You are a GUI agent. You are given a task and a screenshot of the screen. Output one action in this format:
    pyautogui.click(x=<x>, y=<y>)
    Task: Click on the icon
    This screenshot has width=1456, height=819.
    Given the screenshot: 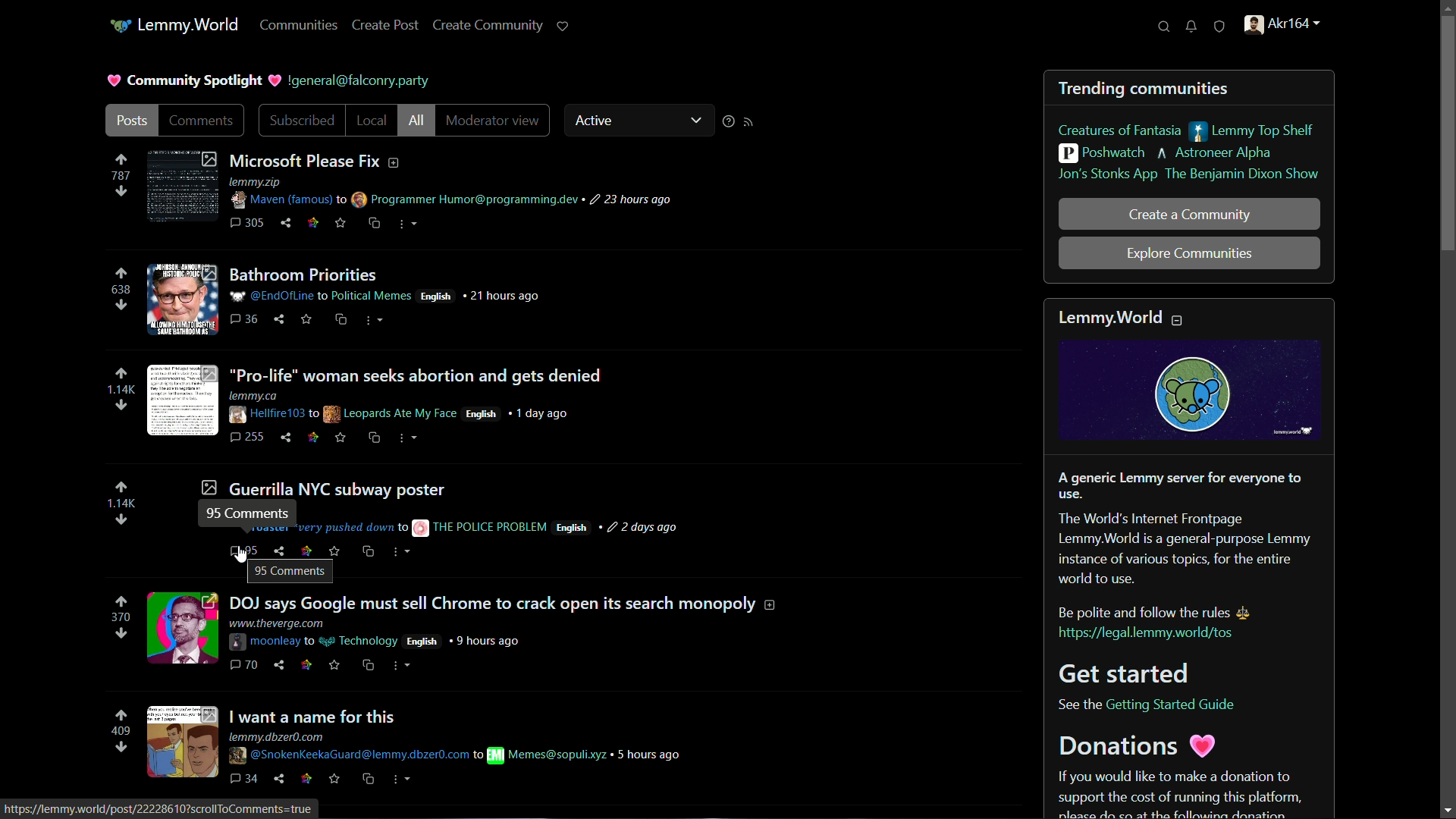 What is the action you would take?
    pyautogui.click(x=312, y=221)
    